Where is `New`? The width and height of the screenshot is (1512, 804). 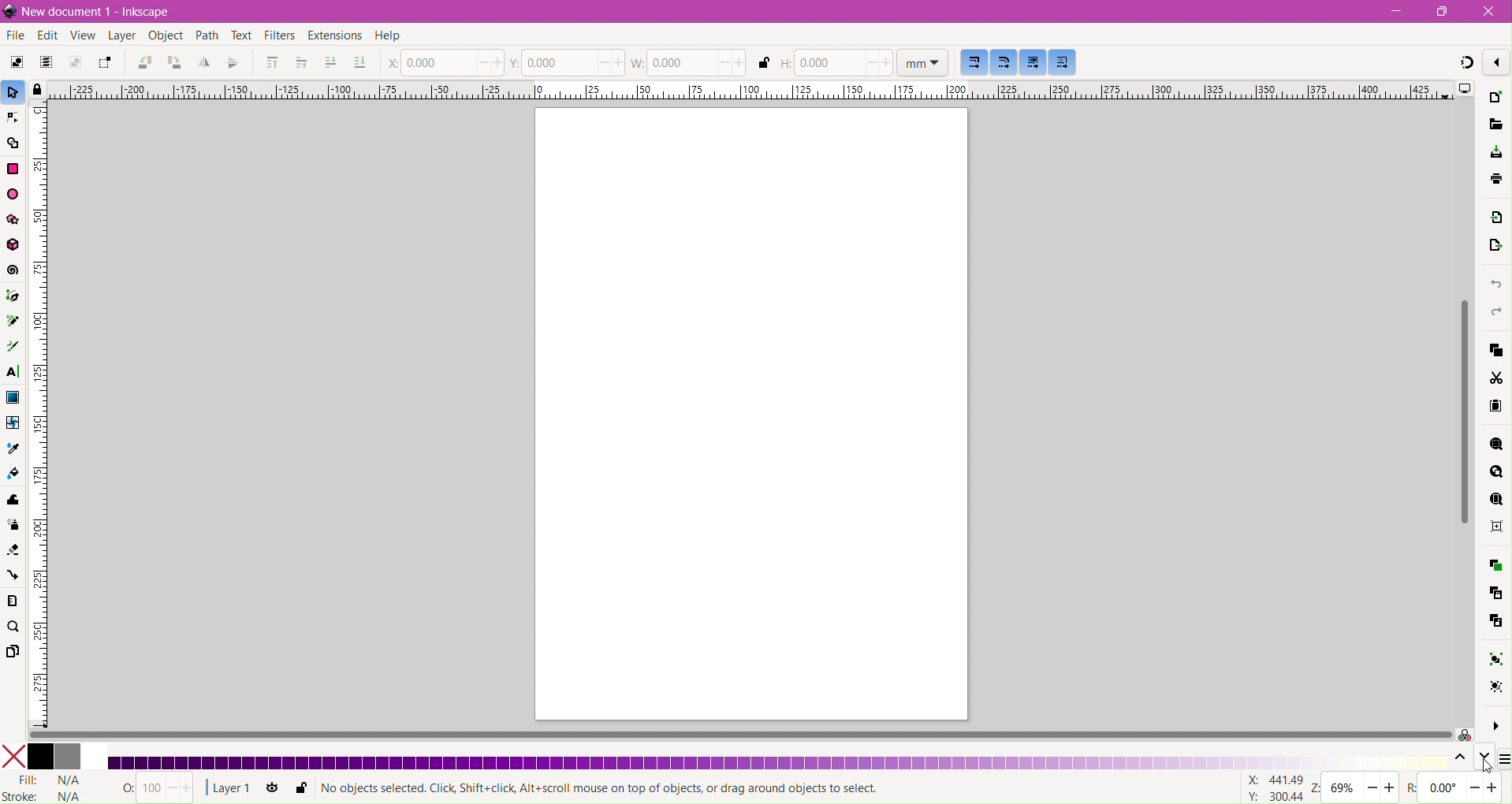 New is located at coordinates (1495, 98).